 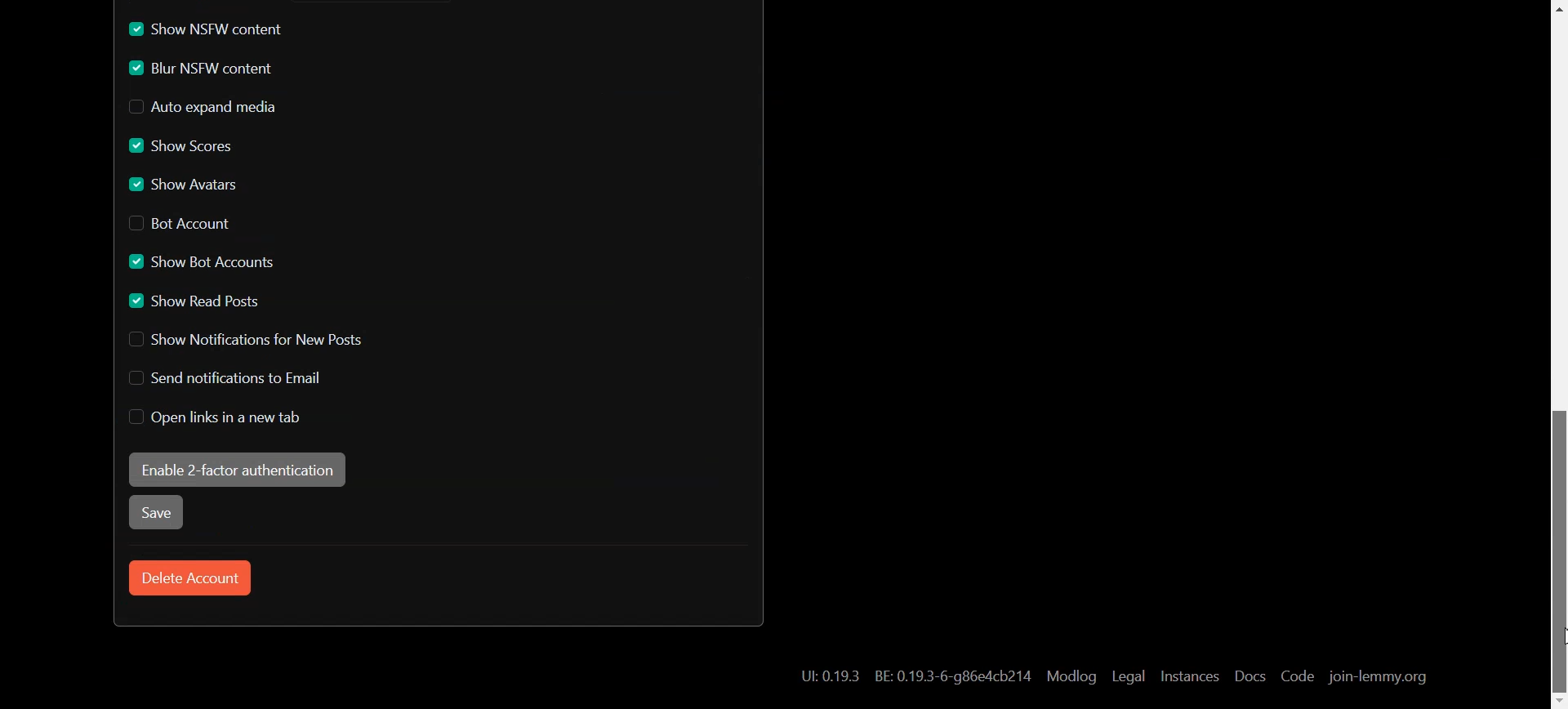 I want to click on Enable 2-factor authentication, so click(x=236, y=470).